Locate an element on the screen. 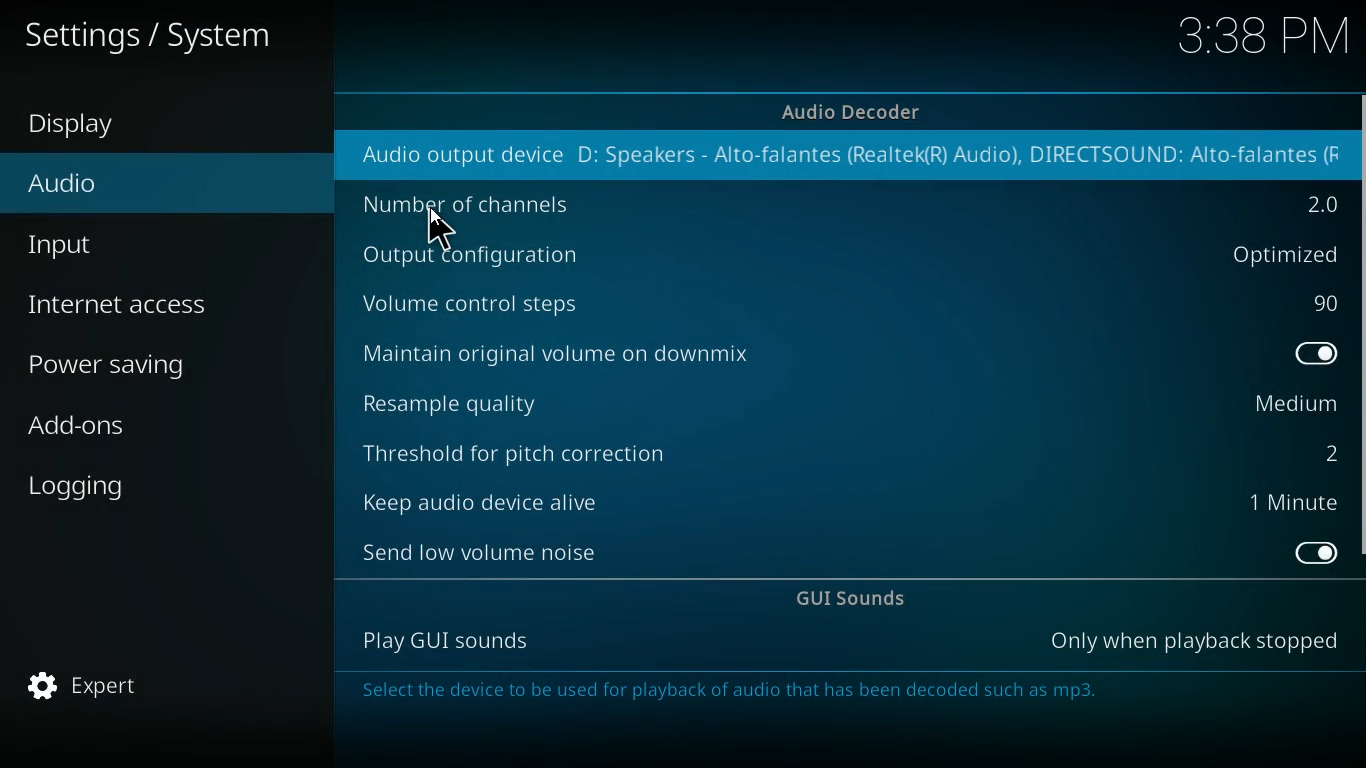  gui sounds is located at coordinates (859, 600).